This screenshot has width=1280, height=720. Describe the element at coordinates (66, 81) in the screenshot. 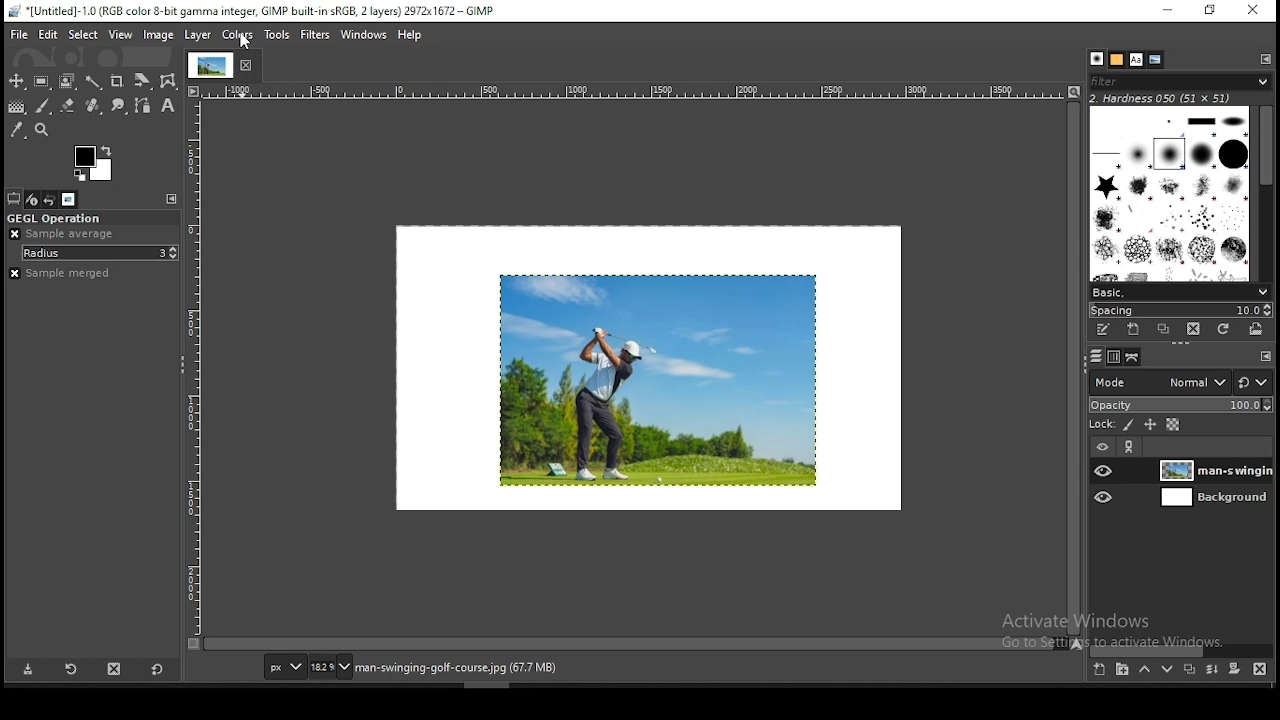

I see `foreground select tool` at that location.